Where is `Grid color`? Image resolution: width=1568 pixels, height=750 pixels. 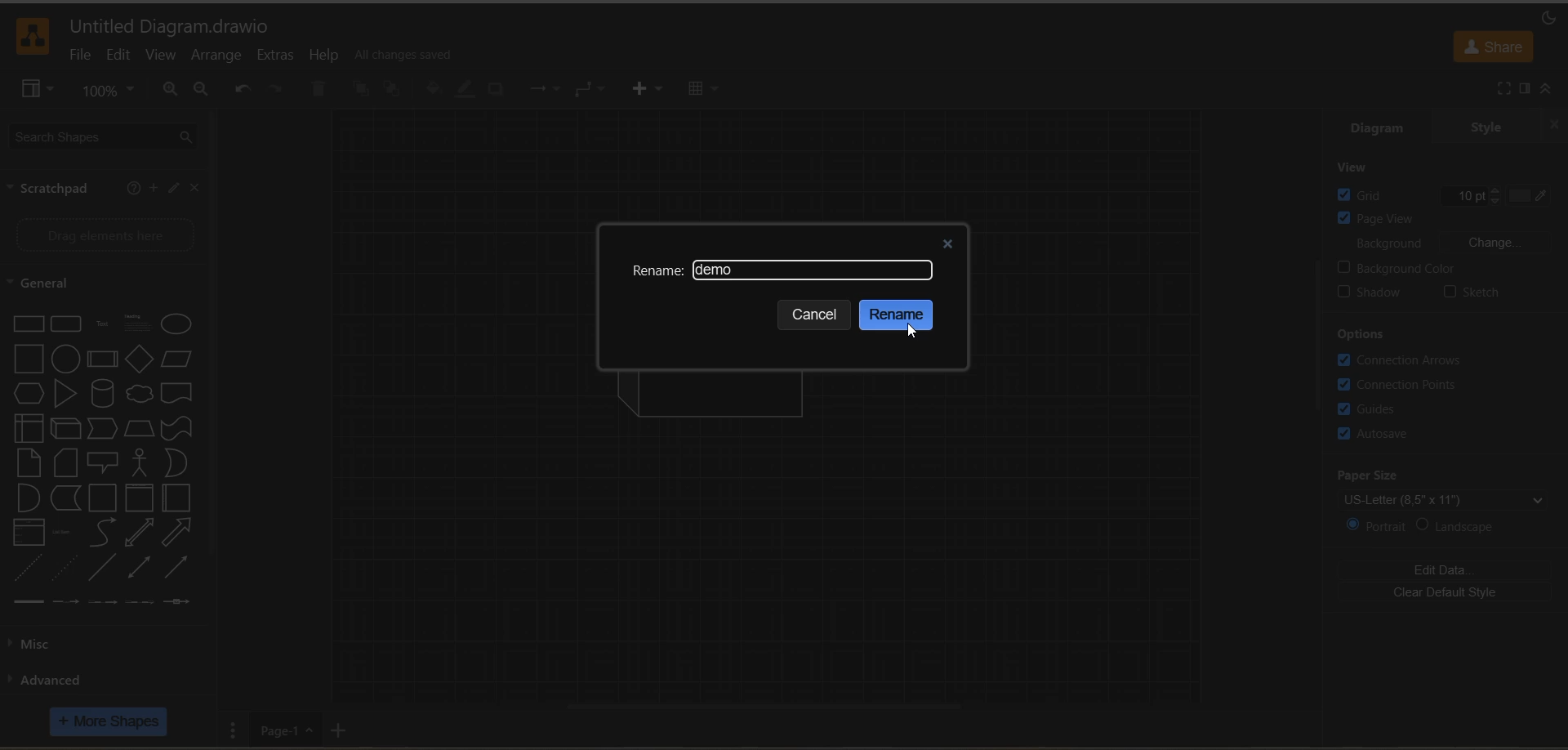 Grid color is located at coordinates (1517, 190).